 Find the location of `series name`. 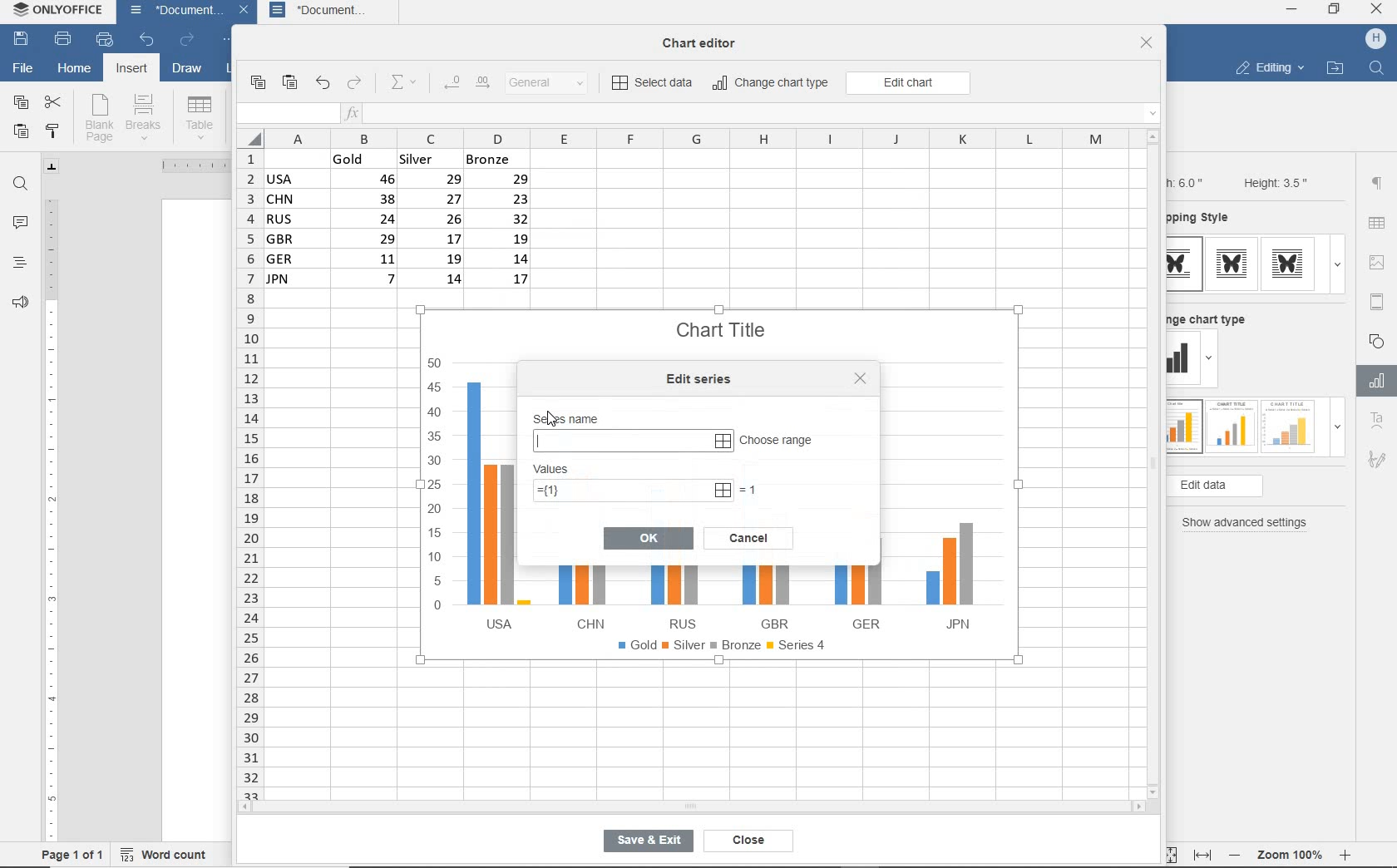

series name is located at coordinates (571, 417).